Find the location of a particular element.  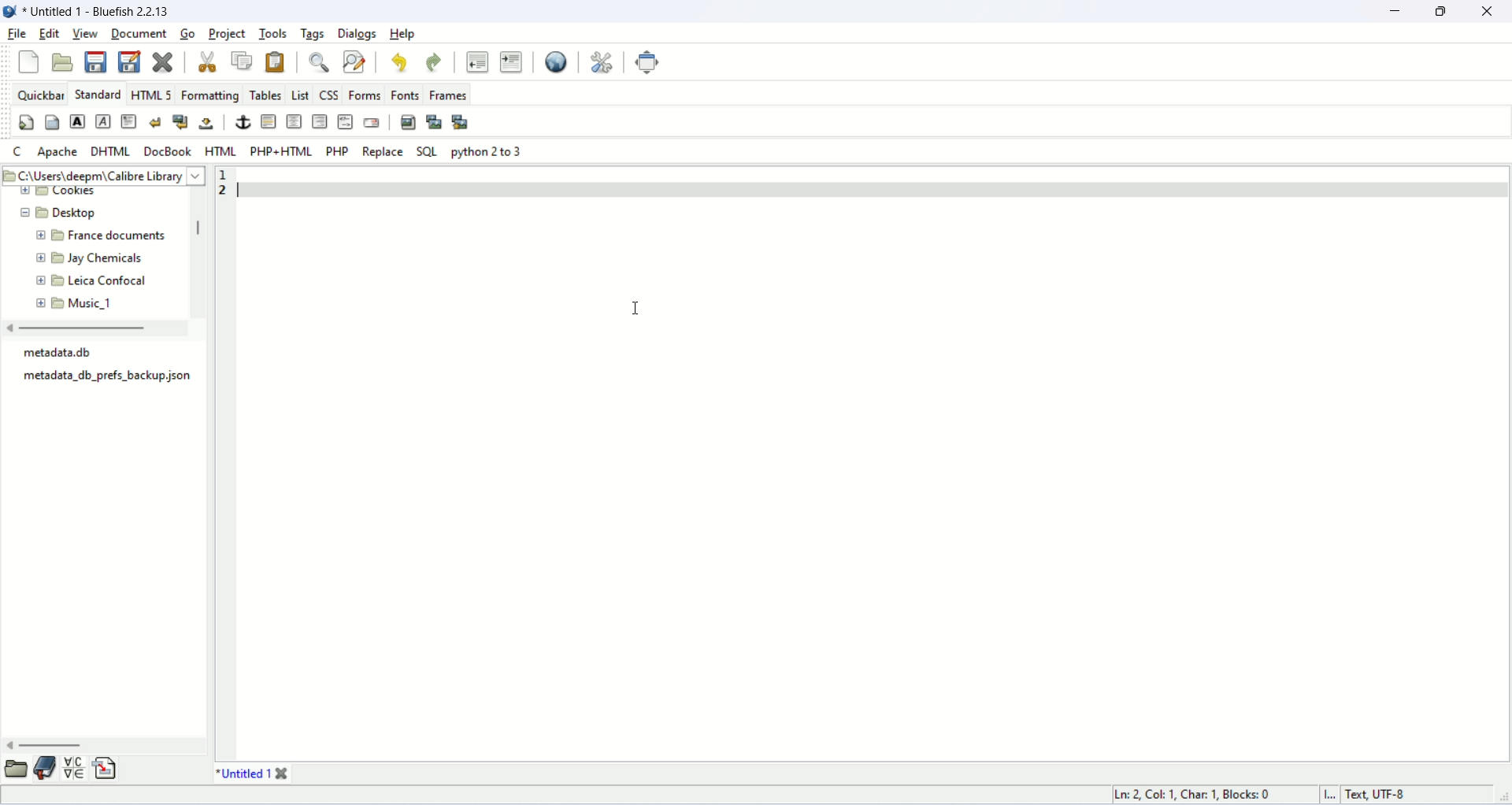

cut is located at coordinates (207, 61).